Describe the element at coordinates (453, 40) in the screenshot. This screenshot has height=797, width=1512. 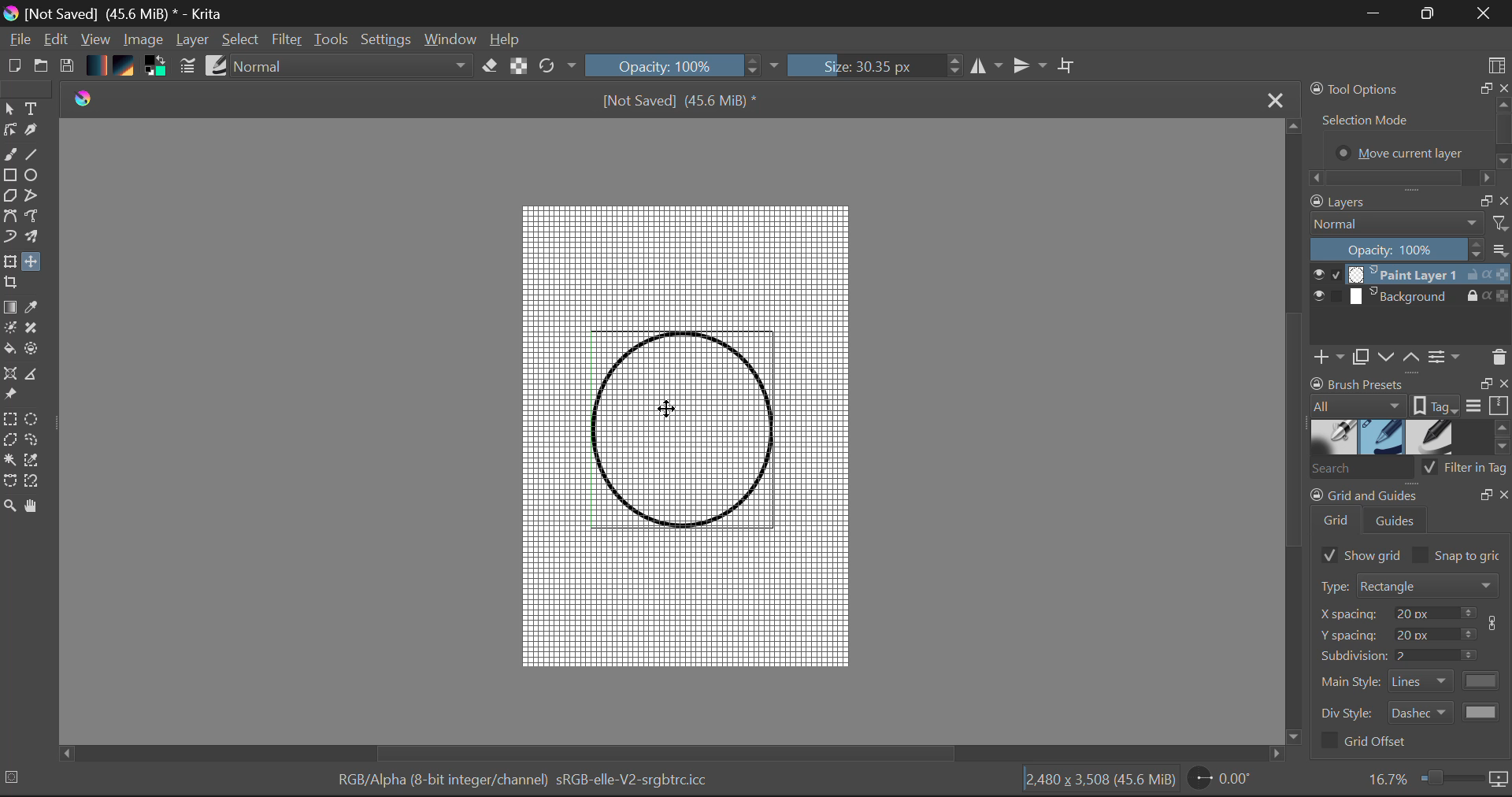
I see `Window` at that location.